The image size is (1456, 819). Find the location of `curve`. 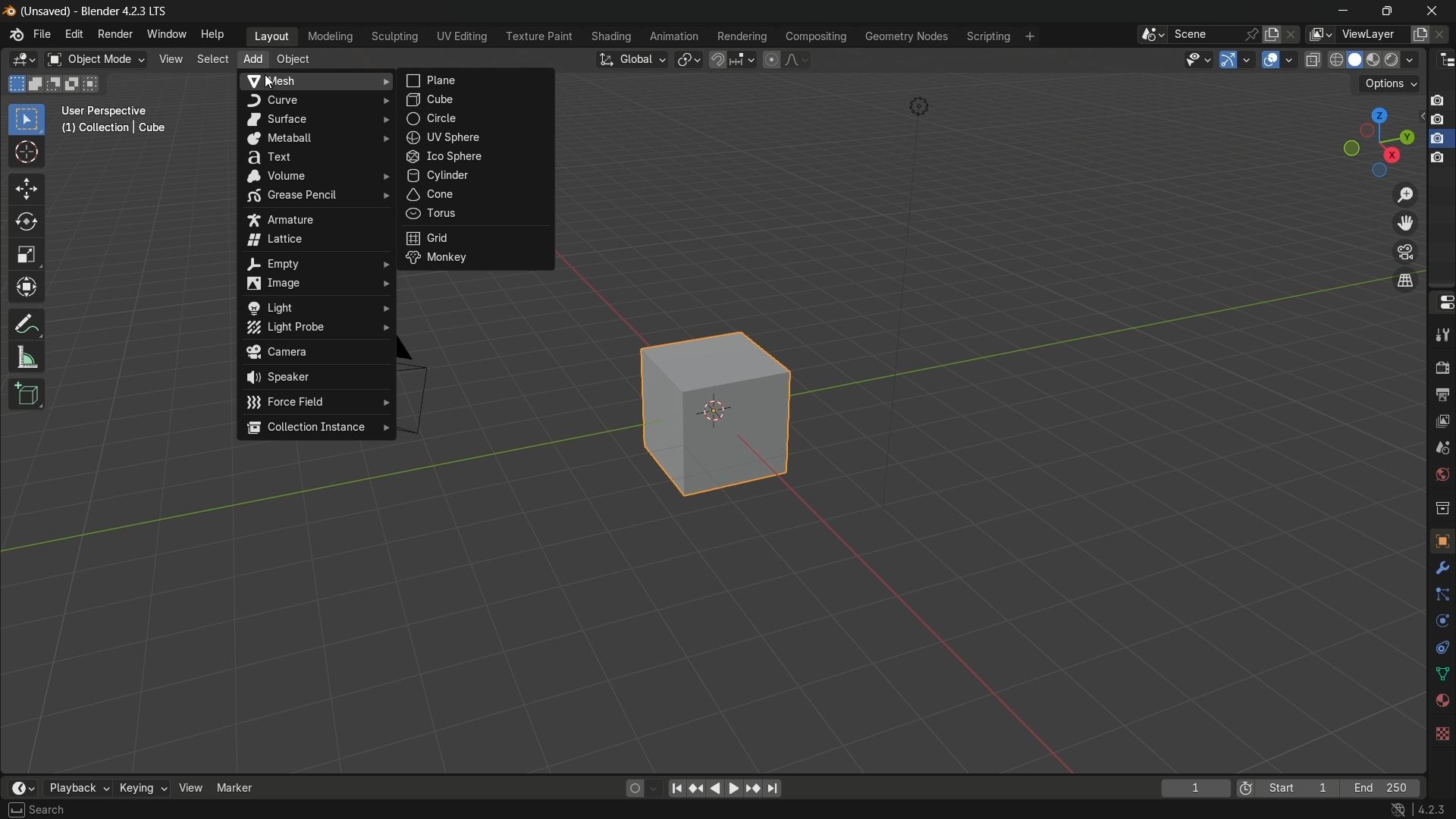

curve is located at coordinates (315, 100).